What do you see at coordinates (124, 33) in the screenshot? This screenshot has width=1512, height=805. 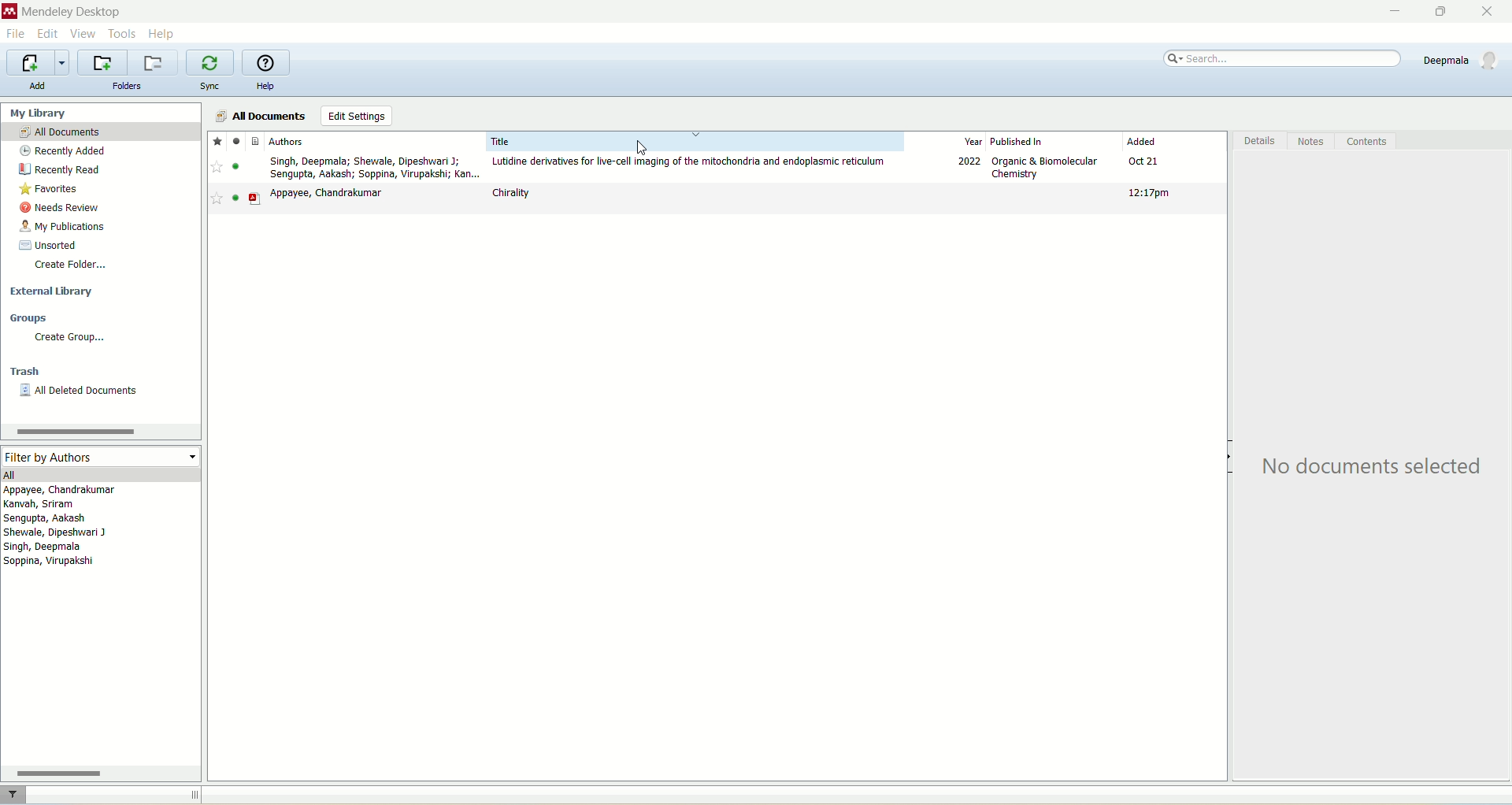 I see `tools` at bounding box center [124, 33].